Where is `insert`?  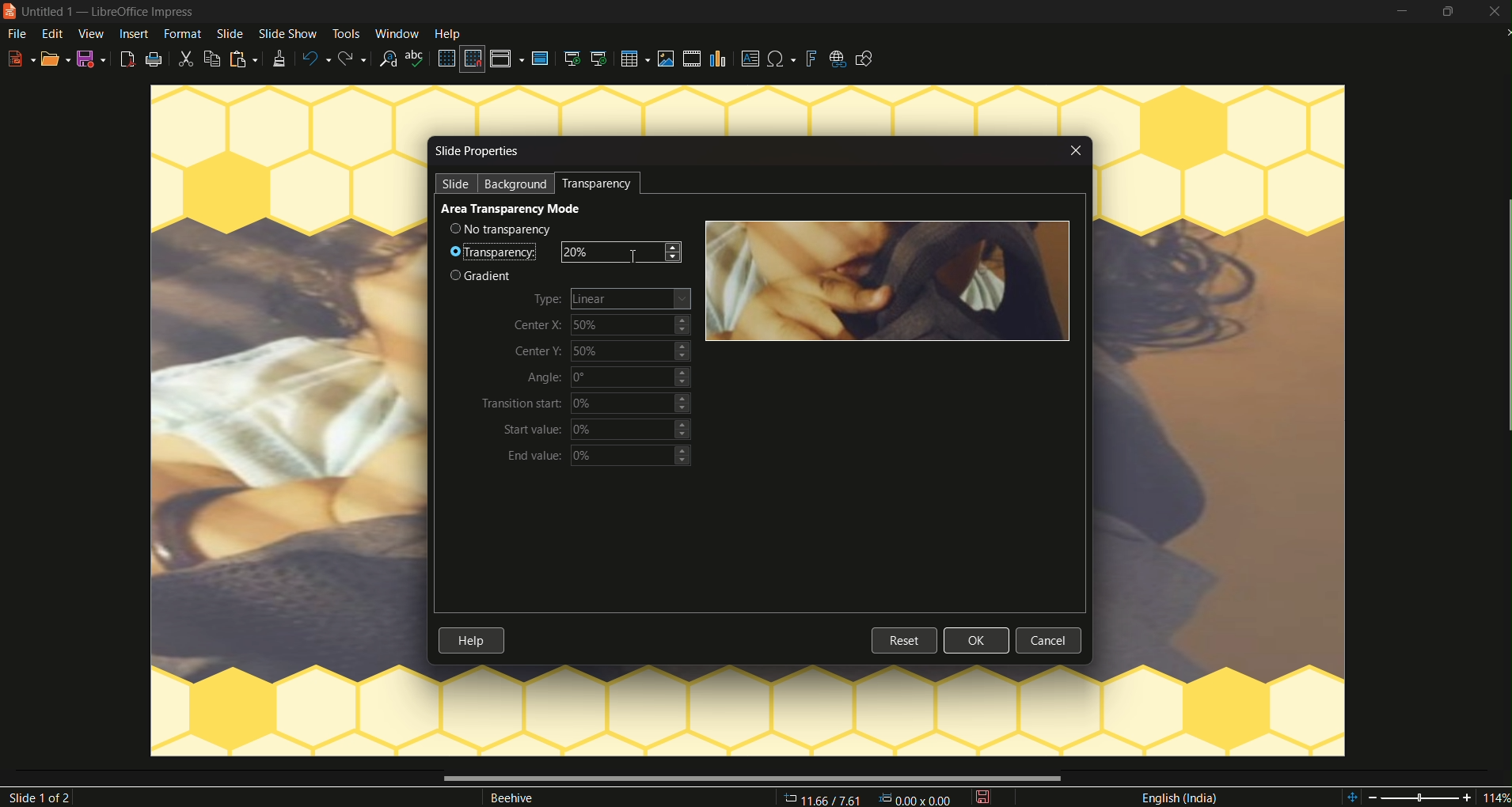
insert is located at coordinates (133, 33).